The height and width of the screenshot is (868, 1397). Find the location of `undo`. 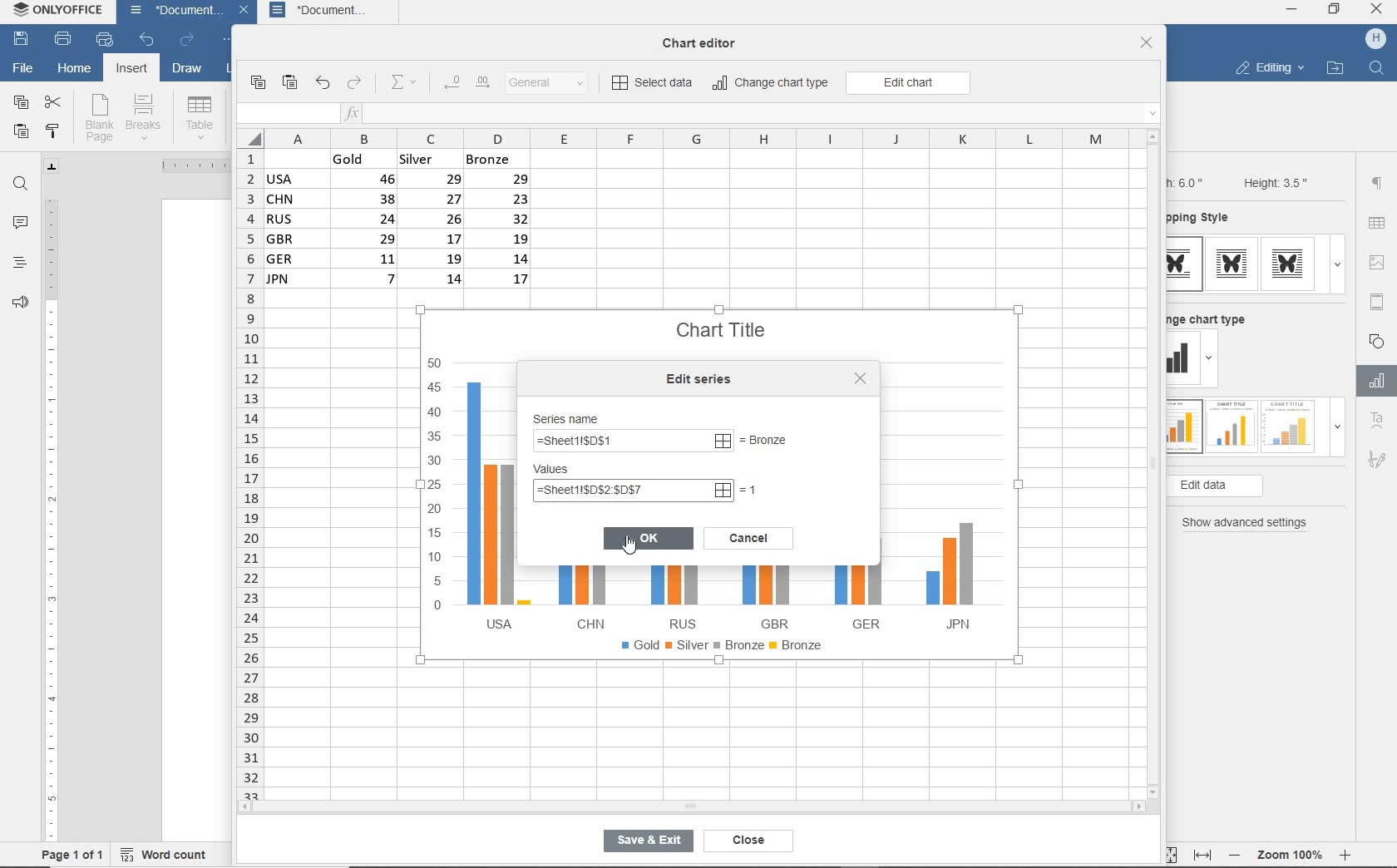

undo is located at coordinates (322, 84).